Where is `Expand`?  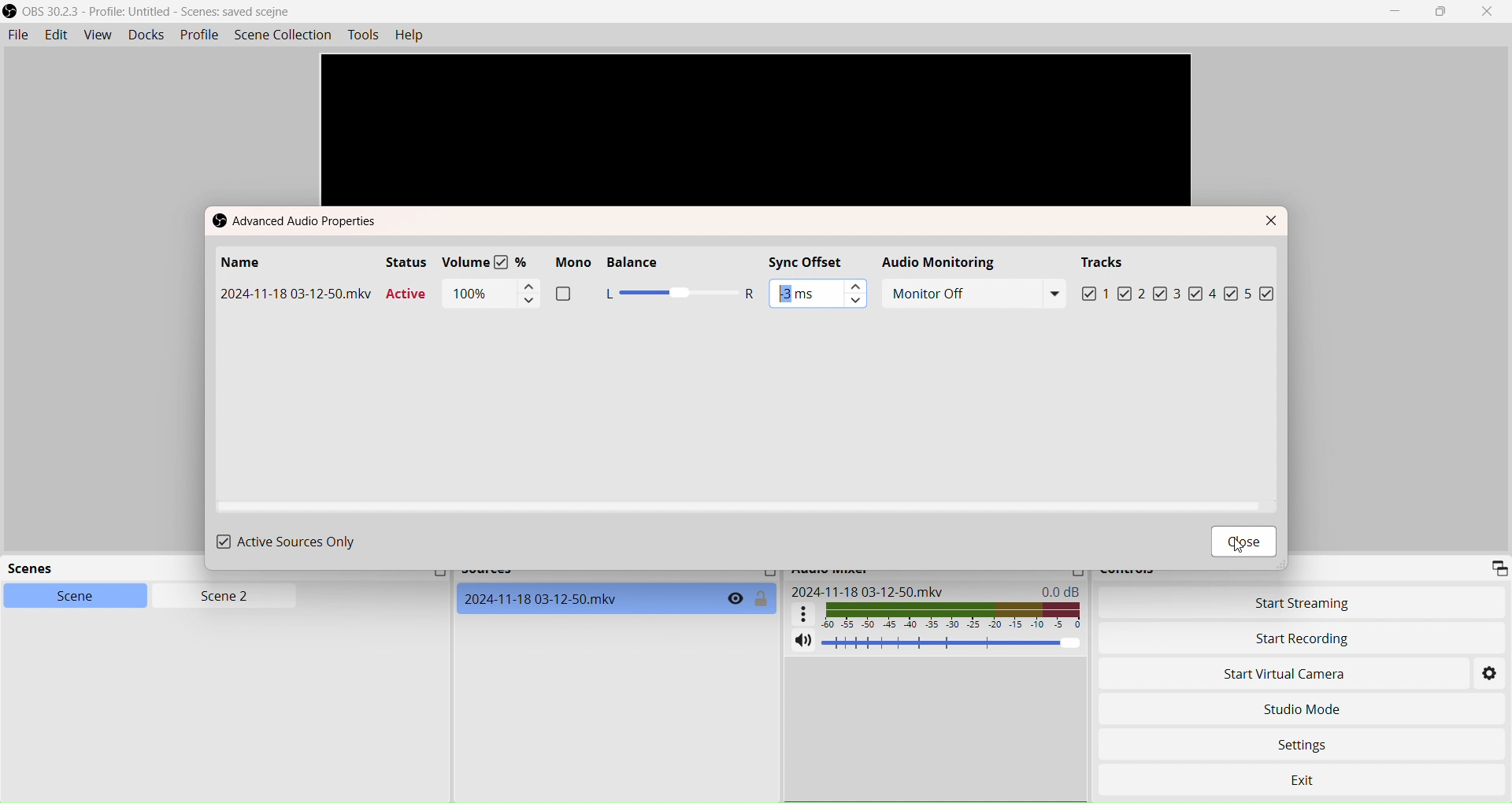
Expand is located at coordinates (1498, 567).